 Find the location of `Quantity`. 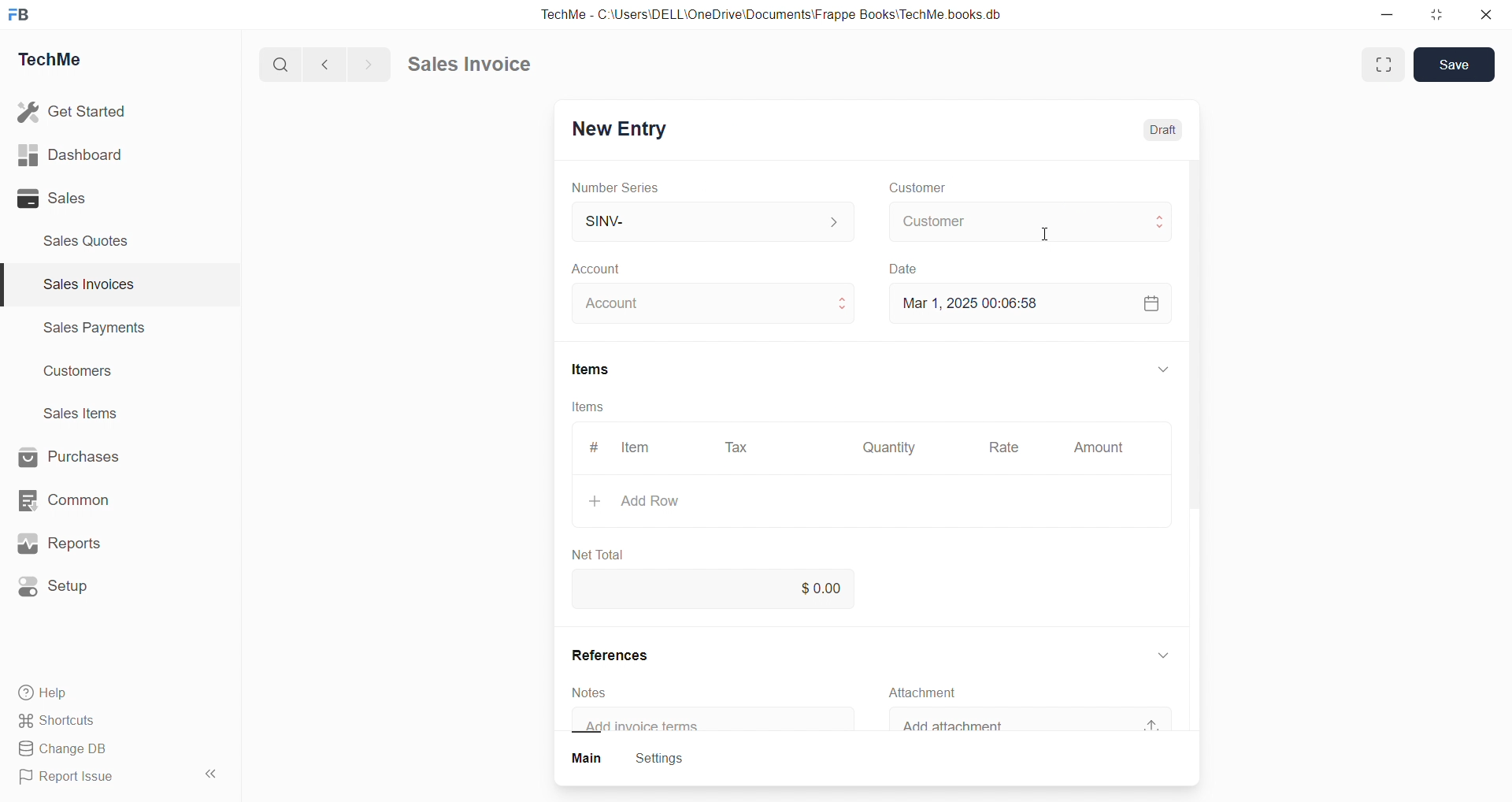

Quantity is located at coordinates (894, 446).